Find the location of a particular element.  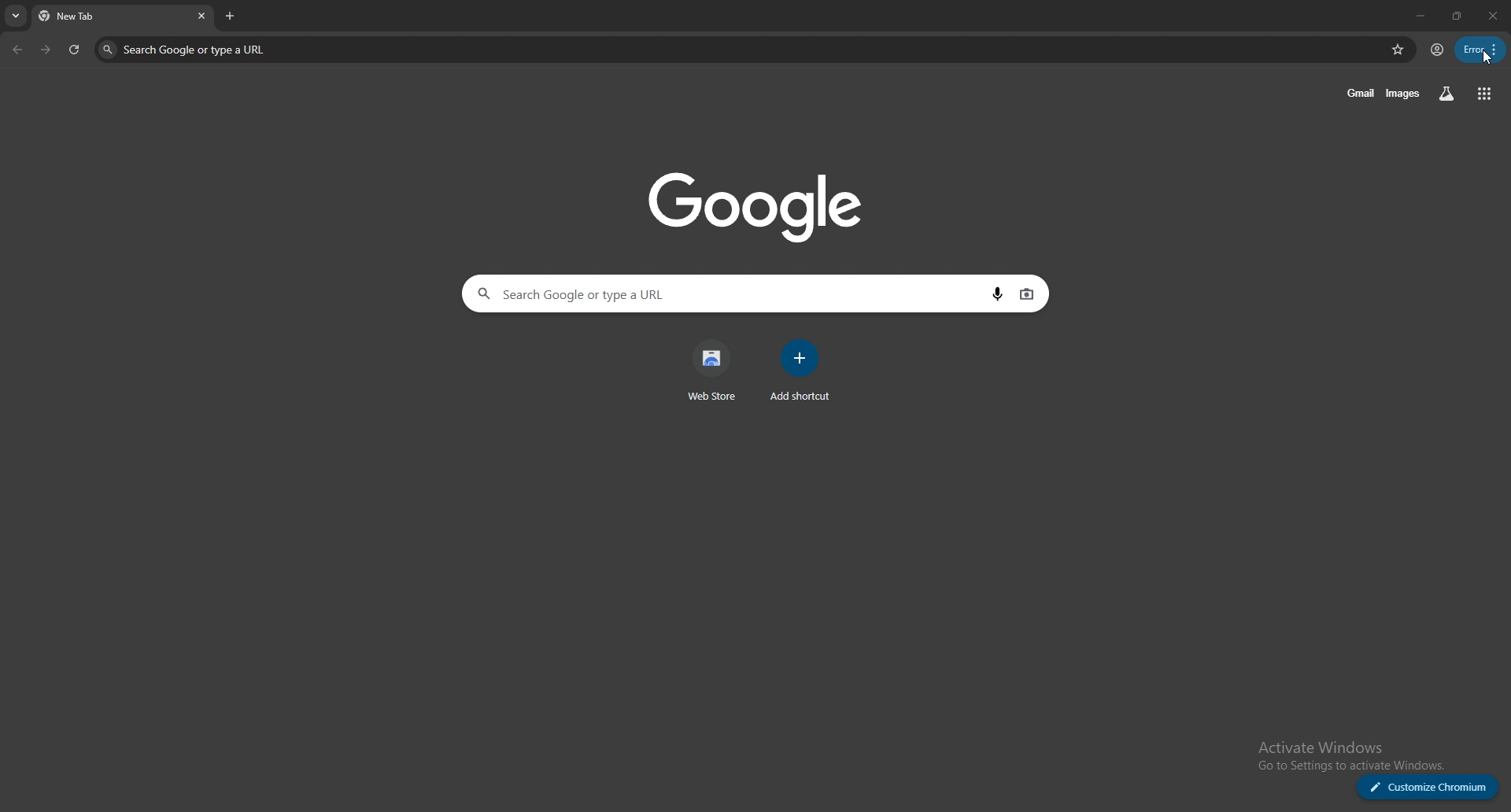

search tabs is located at coordinates (16, 17).